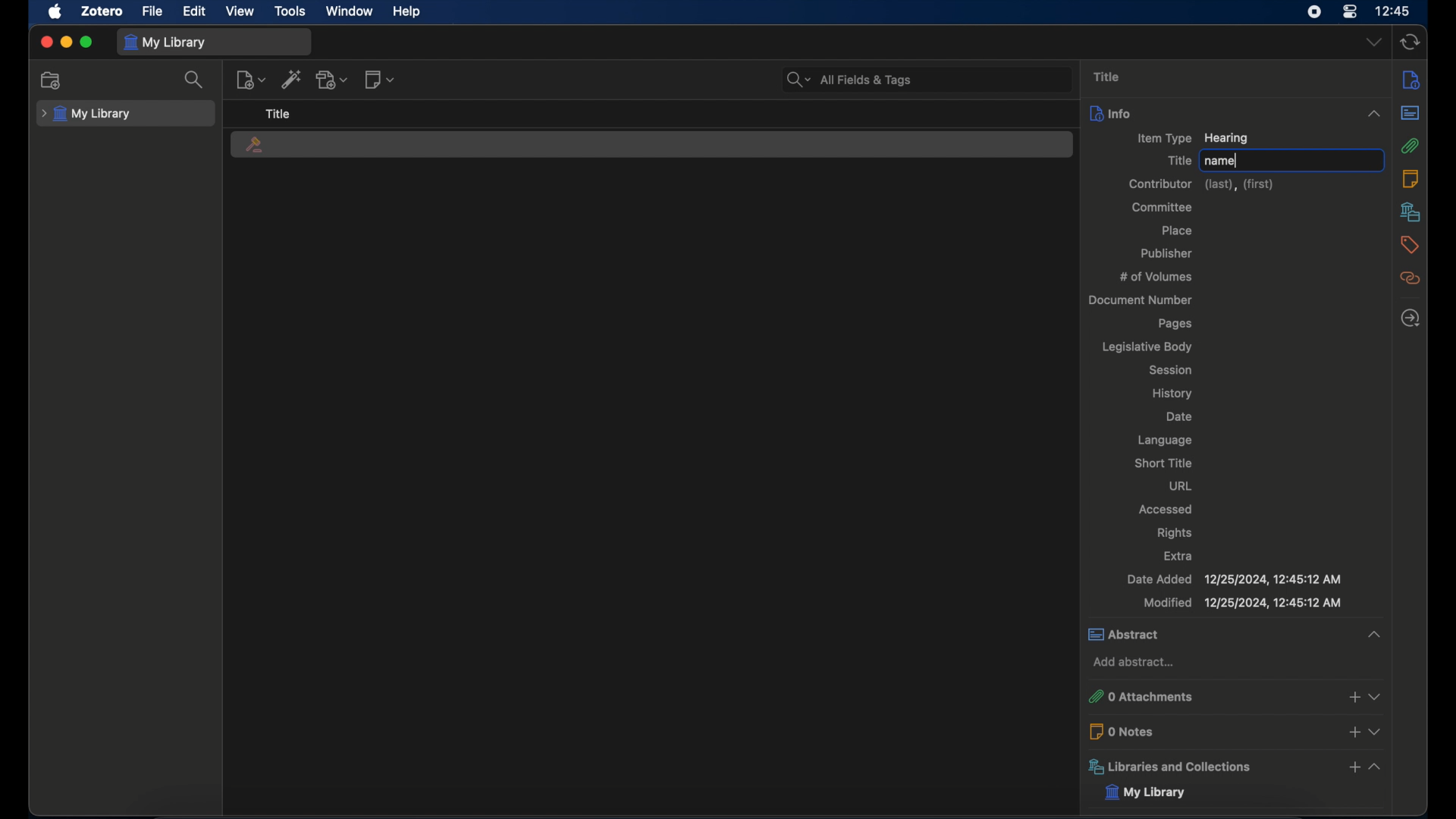 The image size is (1456, 819). What do you see at coordinates (1156, 276) in the screenshot?
I see `no of volumes` at bounding box center [1156, 276].